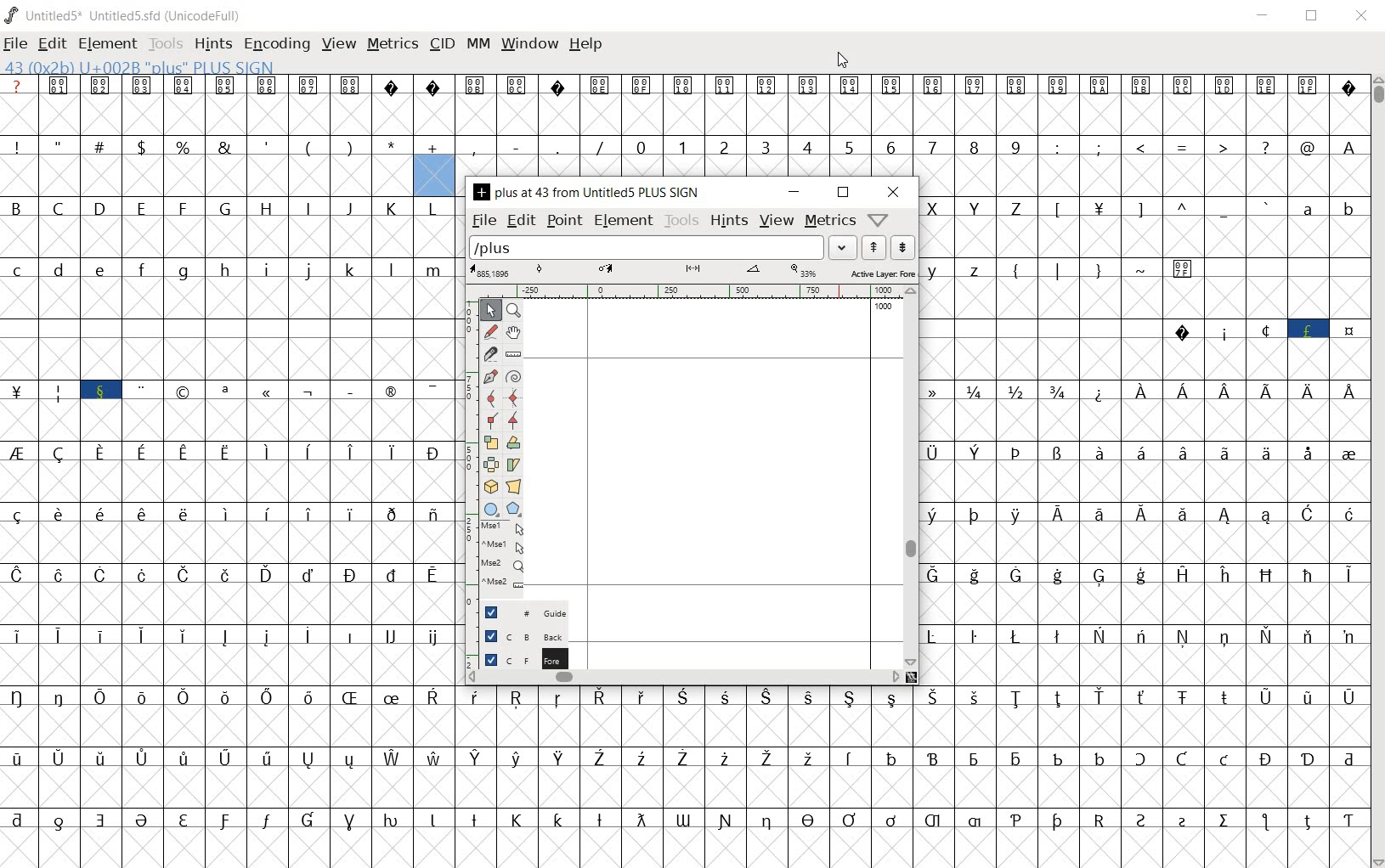 The width and height of the screenshot is (1385, 868). Describe the element at coordinates (939, 533) in the screenshot. I see `` at that location.